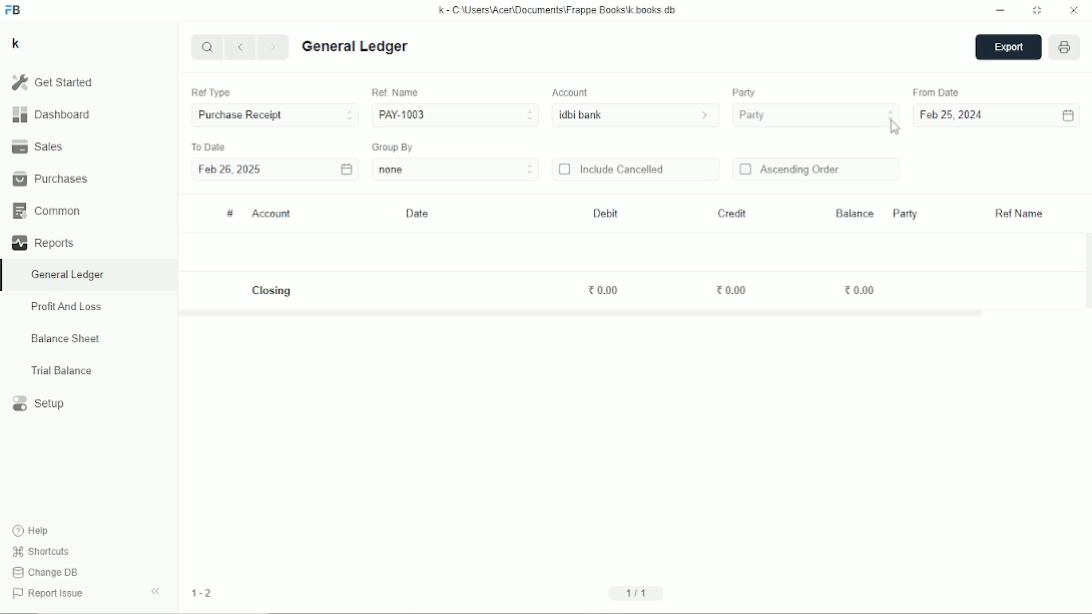 The image size is (1092, 614). Describe the element at coordinates (62, 371) in the screenshot. I see `Trial balance` at that location.